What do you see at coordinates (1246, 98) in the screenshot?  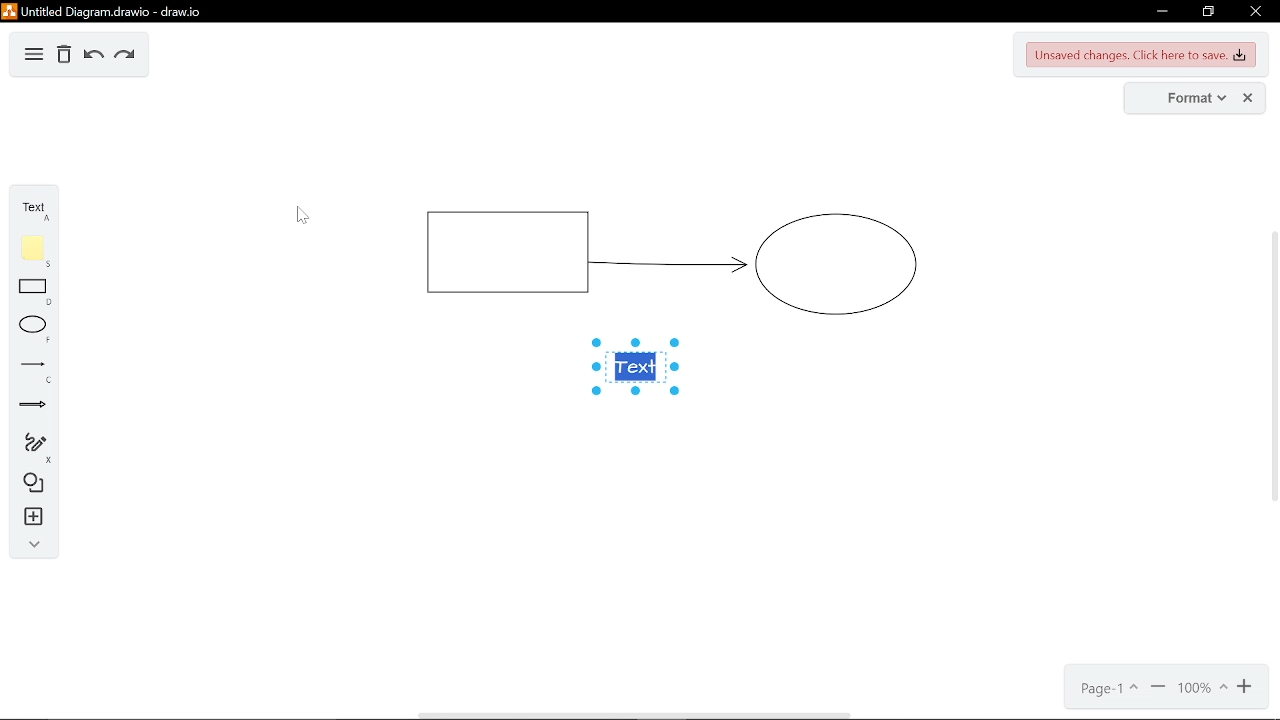 I see `close` at bounding box center [1246, 98].